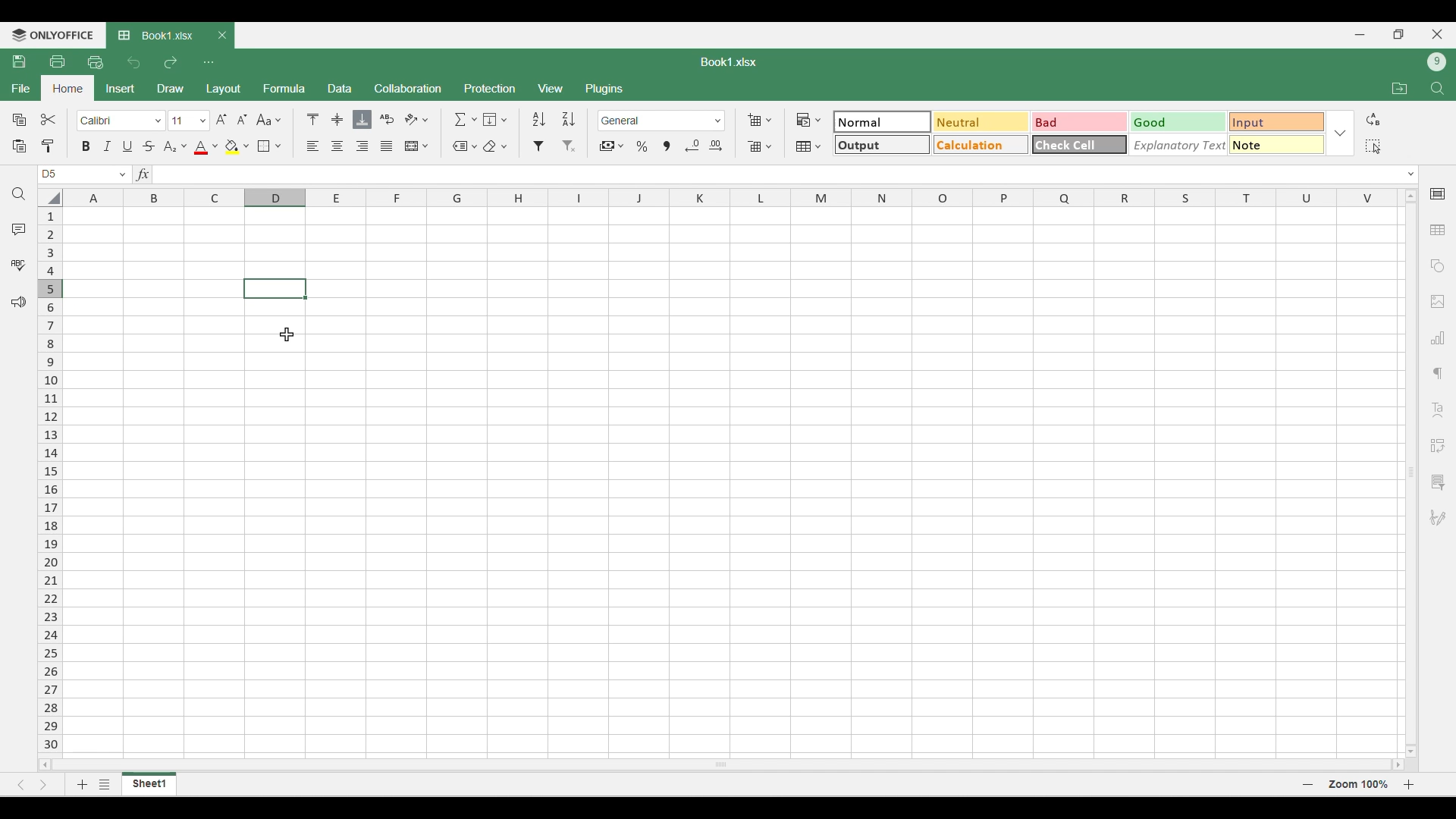 The height and width of the screenshot is (819, 1456). Describe the element at coordinates (809, 120) in the screenshot. I see `Conditional formatting options` at that location.